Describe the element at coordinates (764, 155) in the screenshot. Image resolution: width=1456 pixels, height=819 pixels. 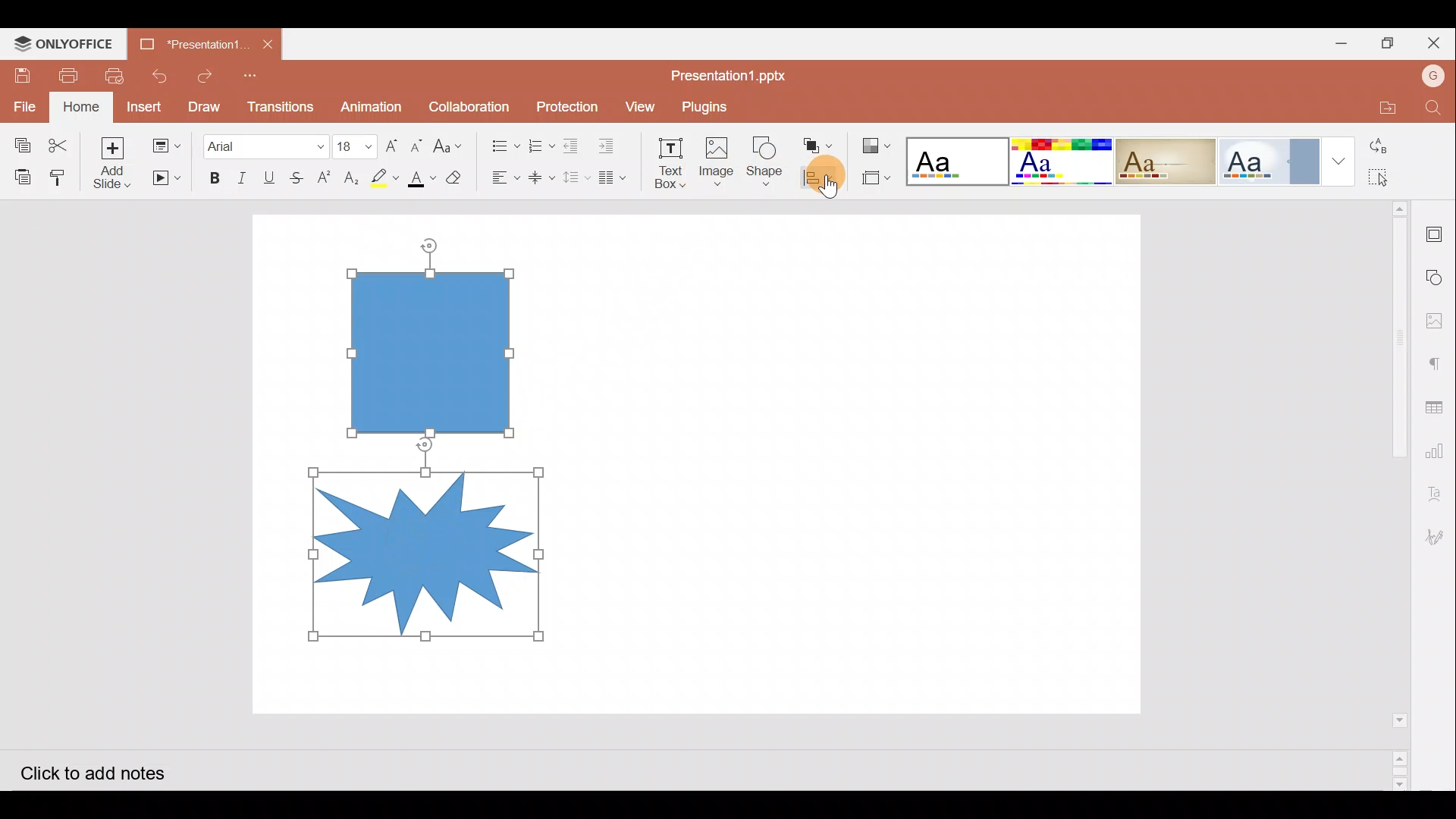
I see `Insert shape` at that location.